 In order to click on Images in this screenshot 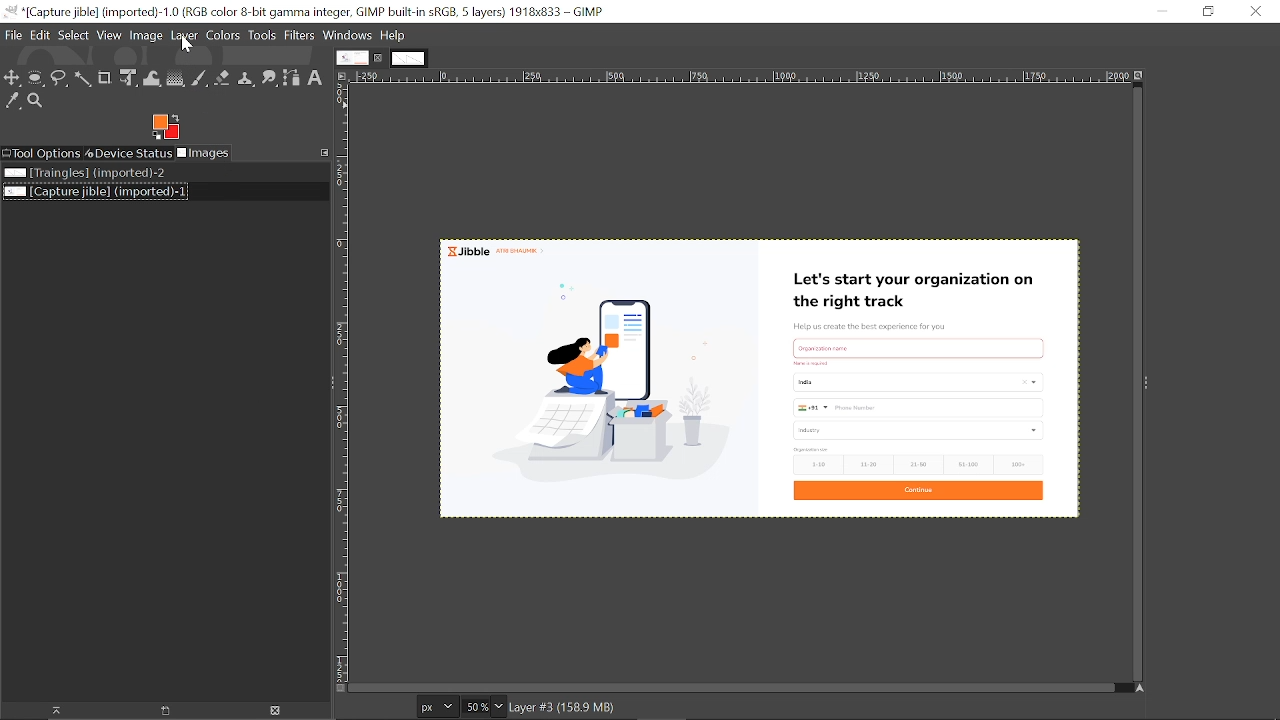, I will do `click(208, 154)`.